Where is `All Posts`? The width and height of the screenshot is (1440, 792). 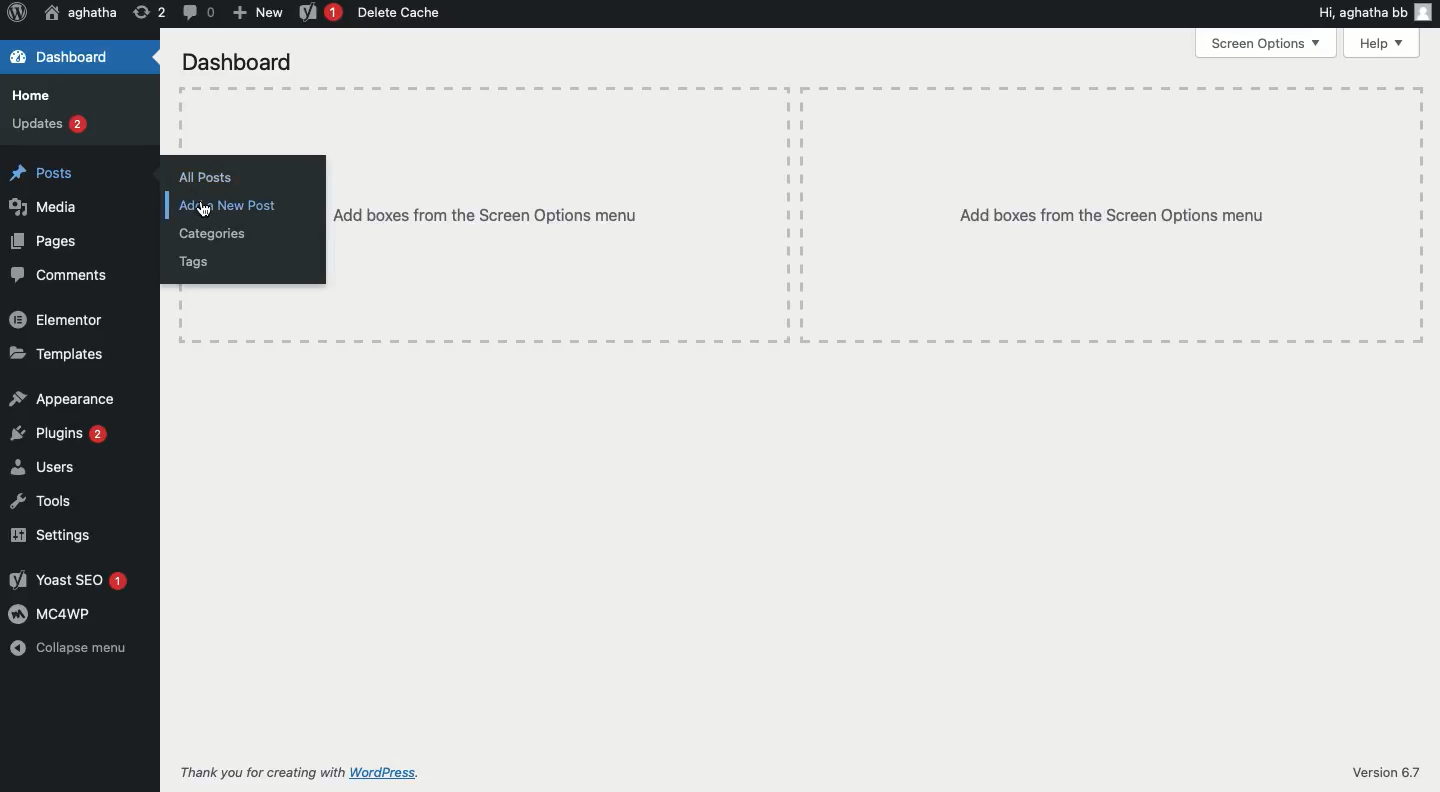 All Posts is located at coordinates (207, 177).